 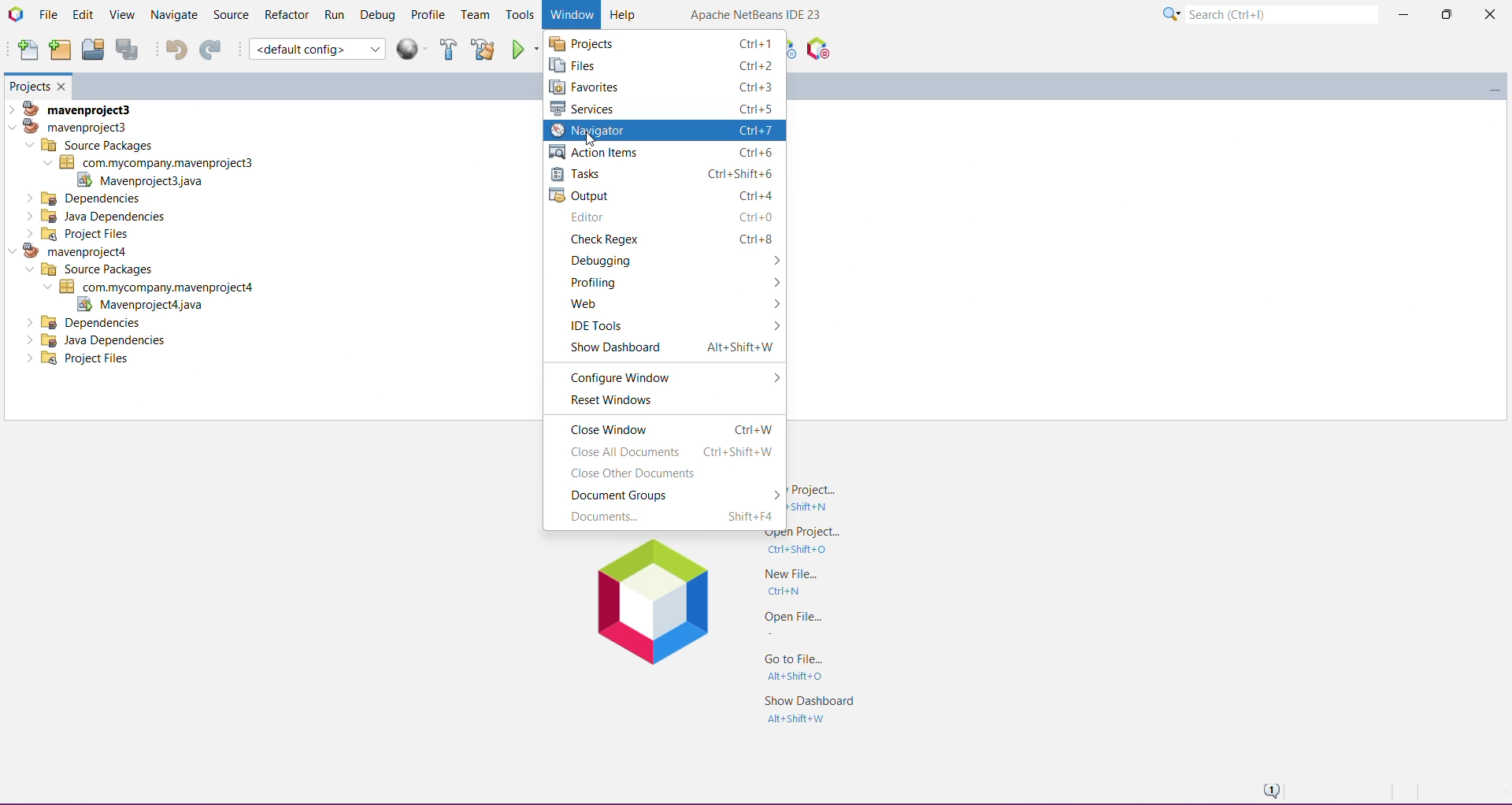 What do you see at coordinates (817, 49) in the screenshot?
I see `Pause I/O Checks` at bounding box center [817, 49].